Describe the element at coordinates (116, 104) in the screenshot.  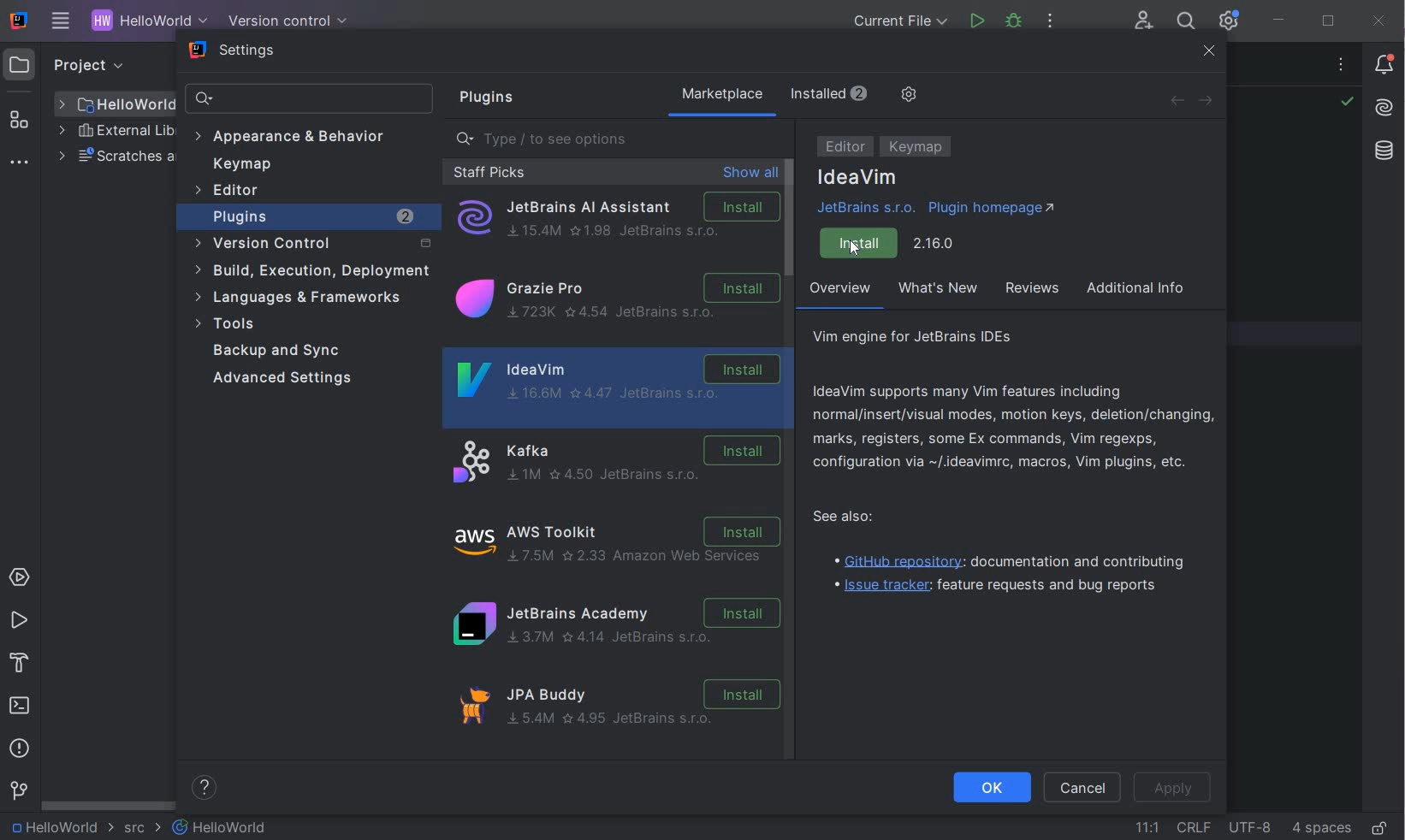
I see `FILE NAME` at that location.